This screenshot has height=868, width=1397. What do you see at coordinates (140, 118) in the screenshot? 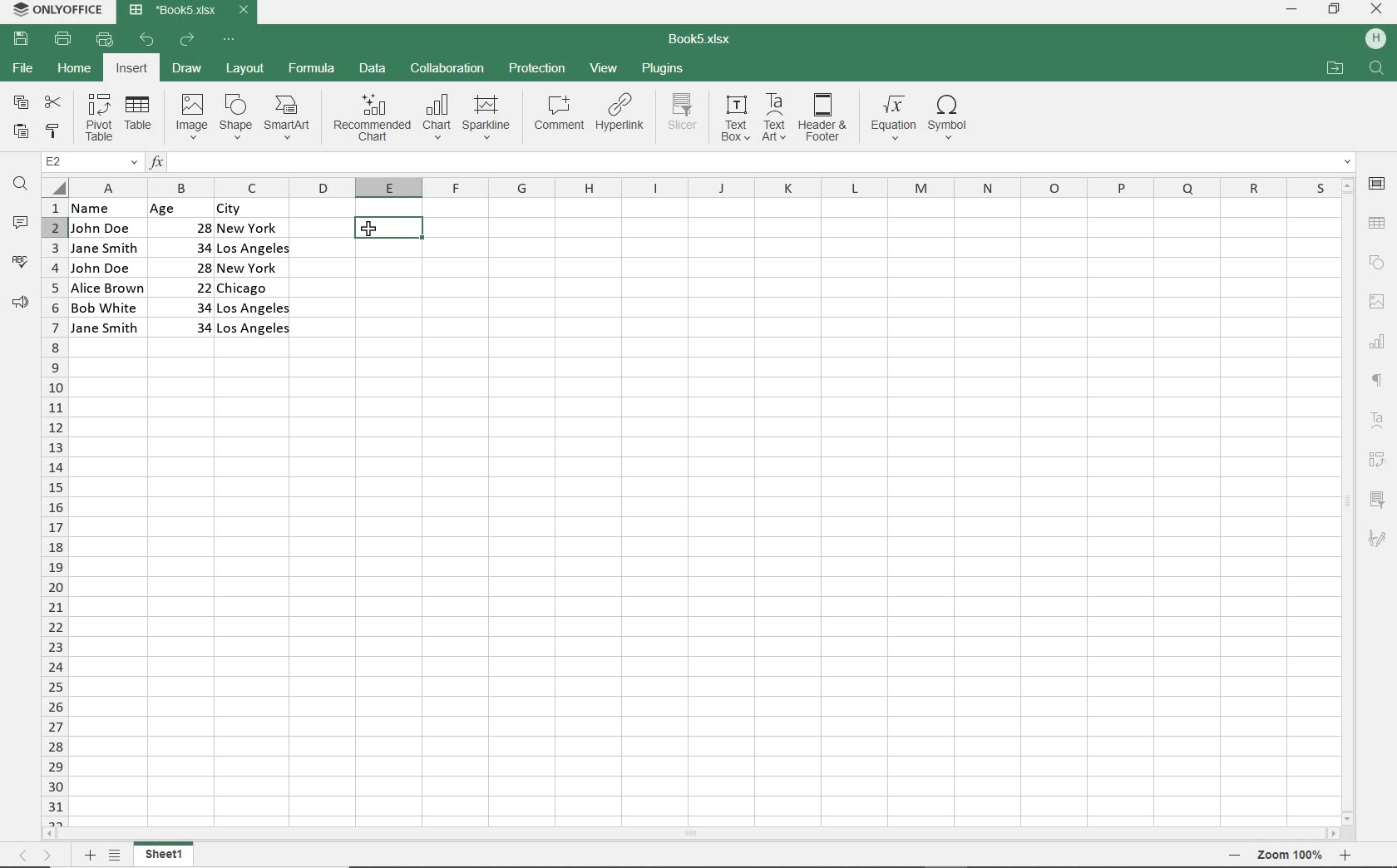
I see `TABLE` at bounding box center [140, 118].